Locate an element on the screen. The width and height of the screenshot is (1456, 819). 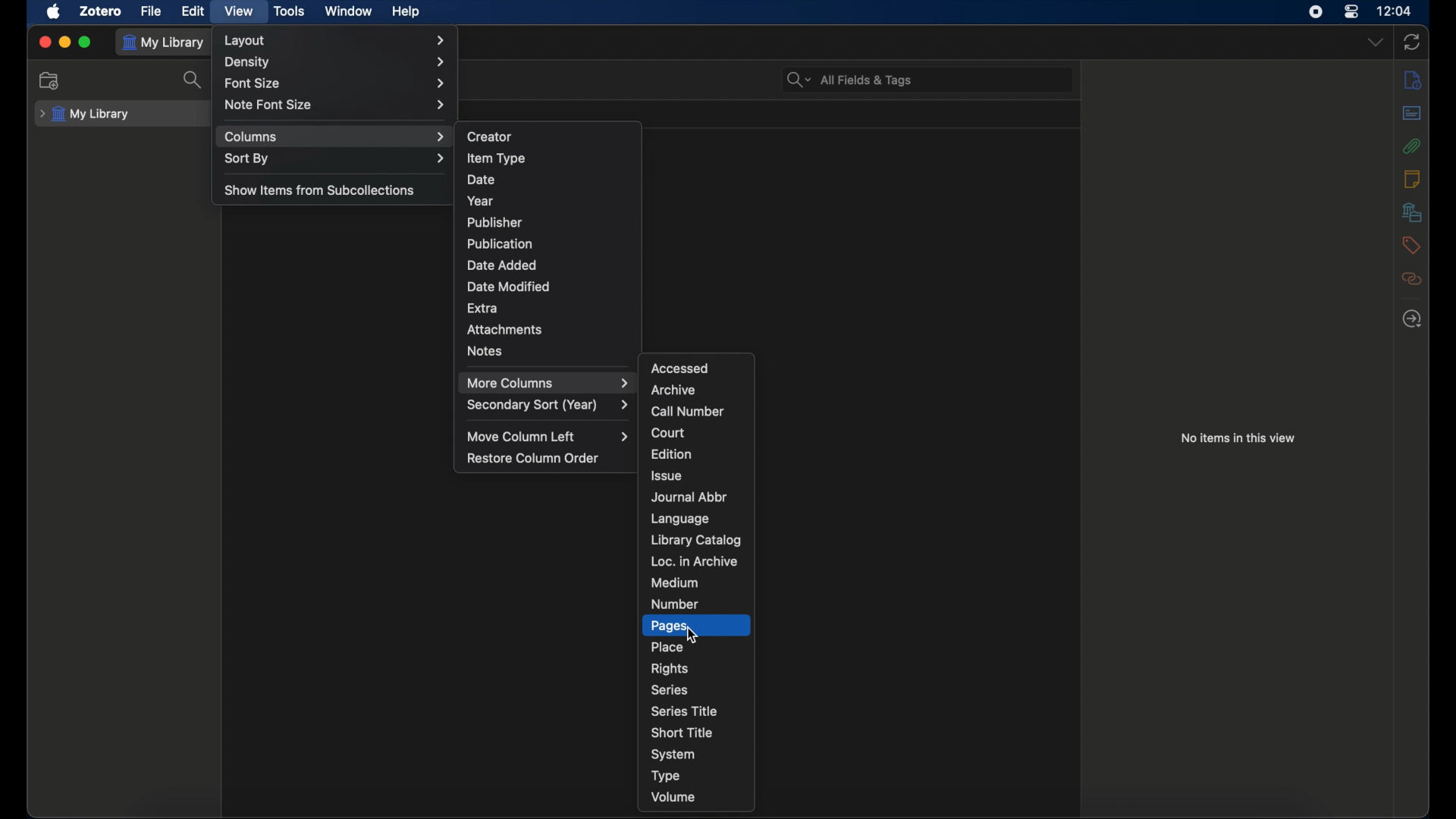
archive is located at coordinates (673, 390).